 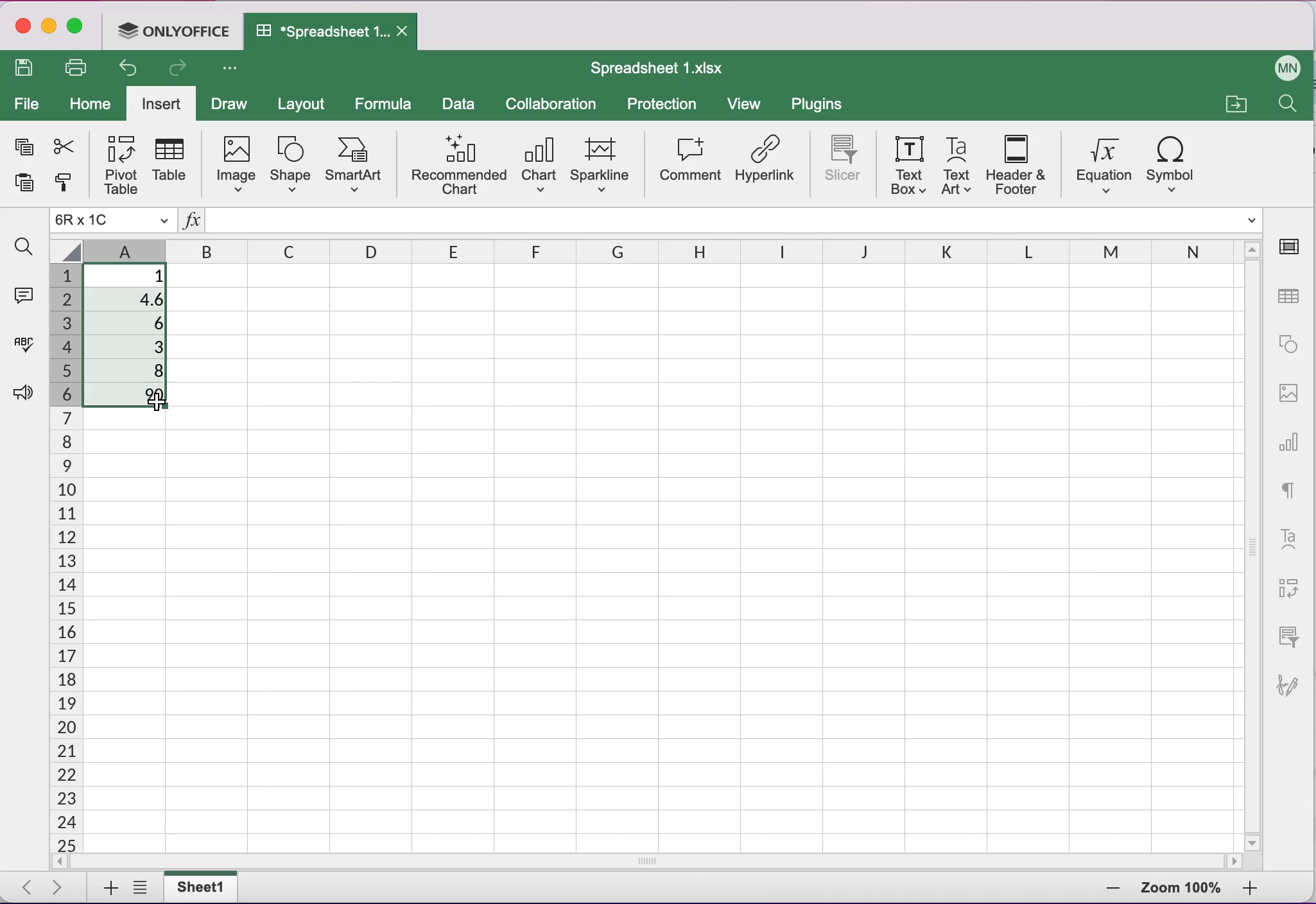 I want to click on add sheets, so click(x=105, y=887).